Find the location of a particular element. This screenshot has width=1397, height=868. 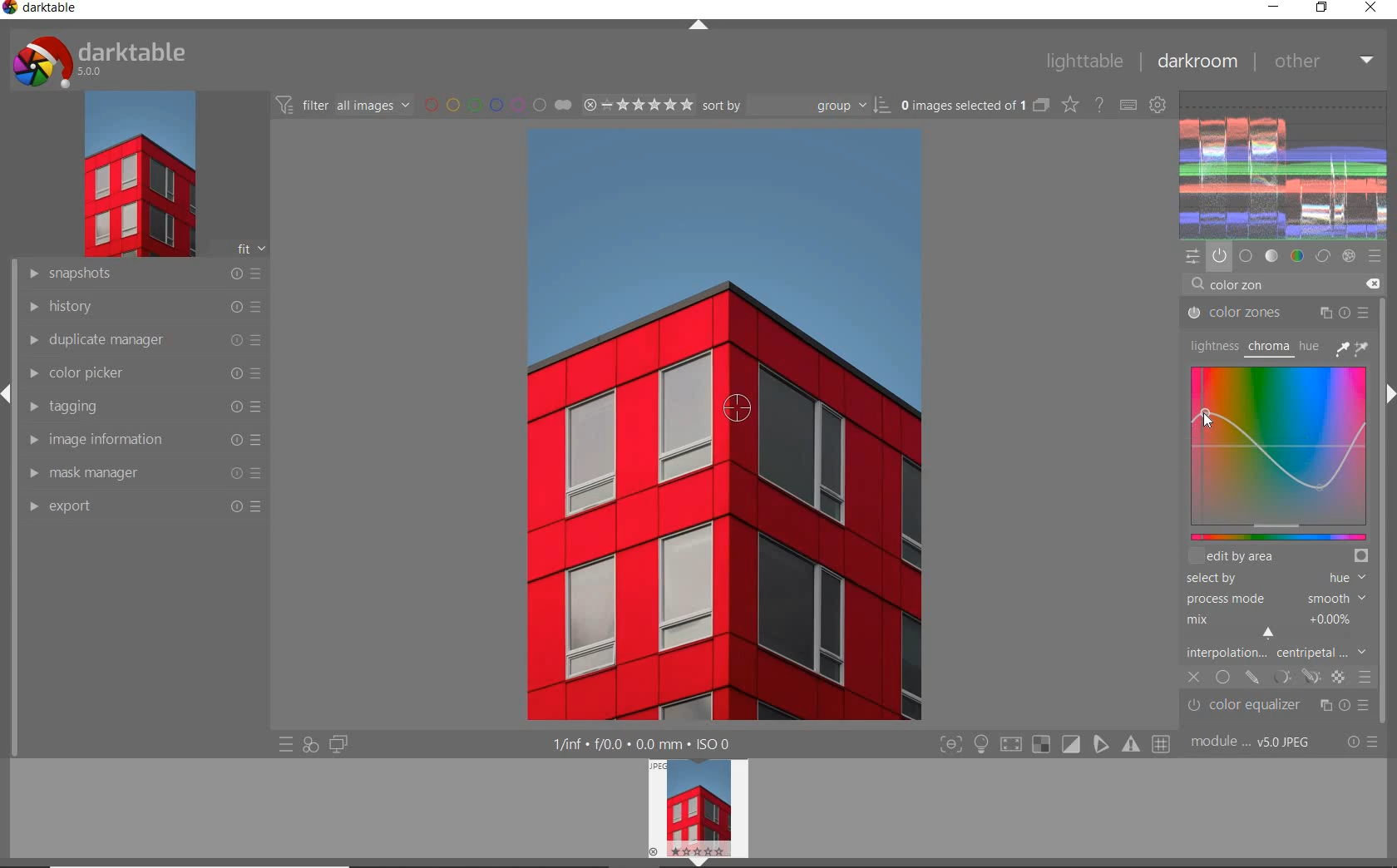

display a second darkroom image widow is located at coordinates (338, 742).